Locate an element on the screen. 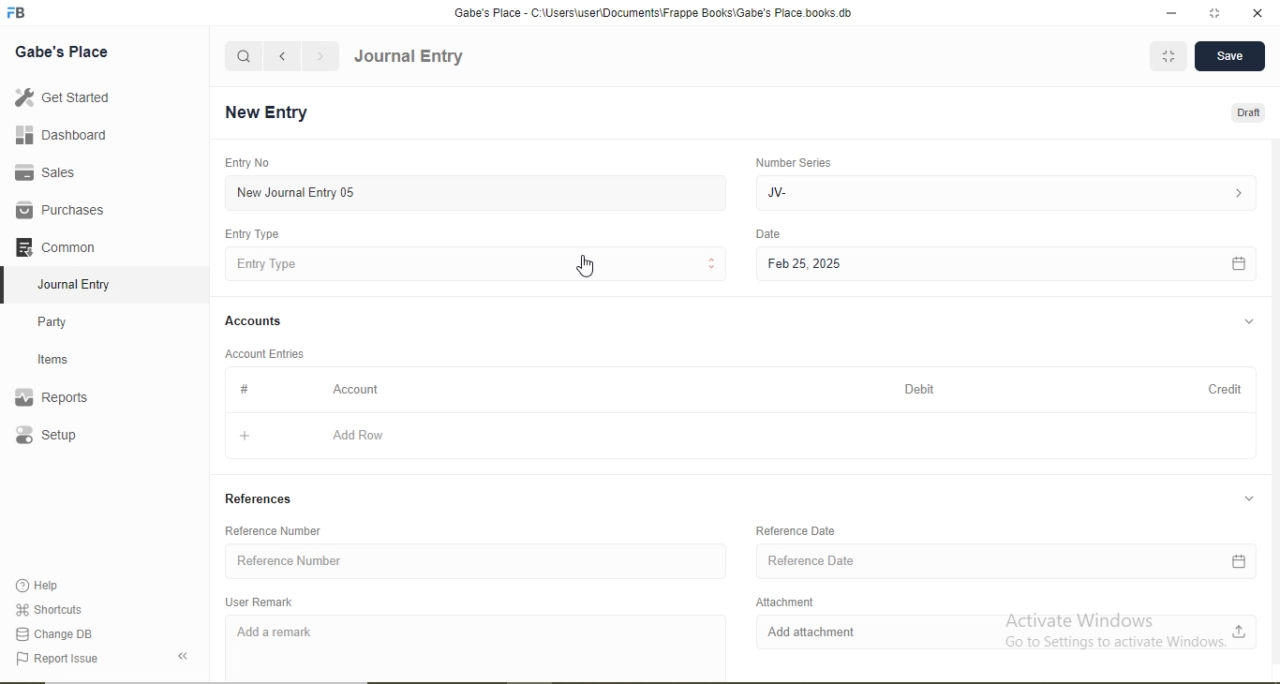  References. is located at coordinates (259, 500).